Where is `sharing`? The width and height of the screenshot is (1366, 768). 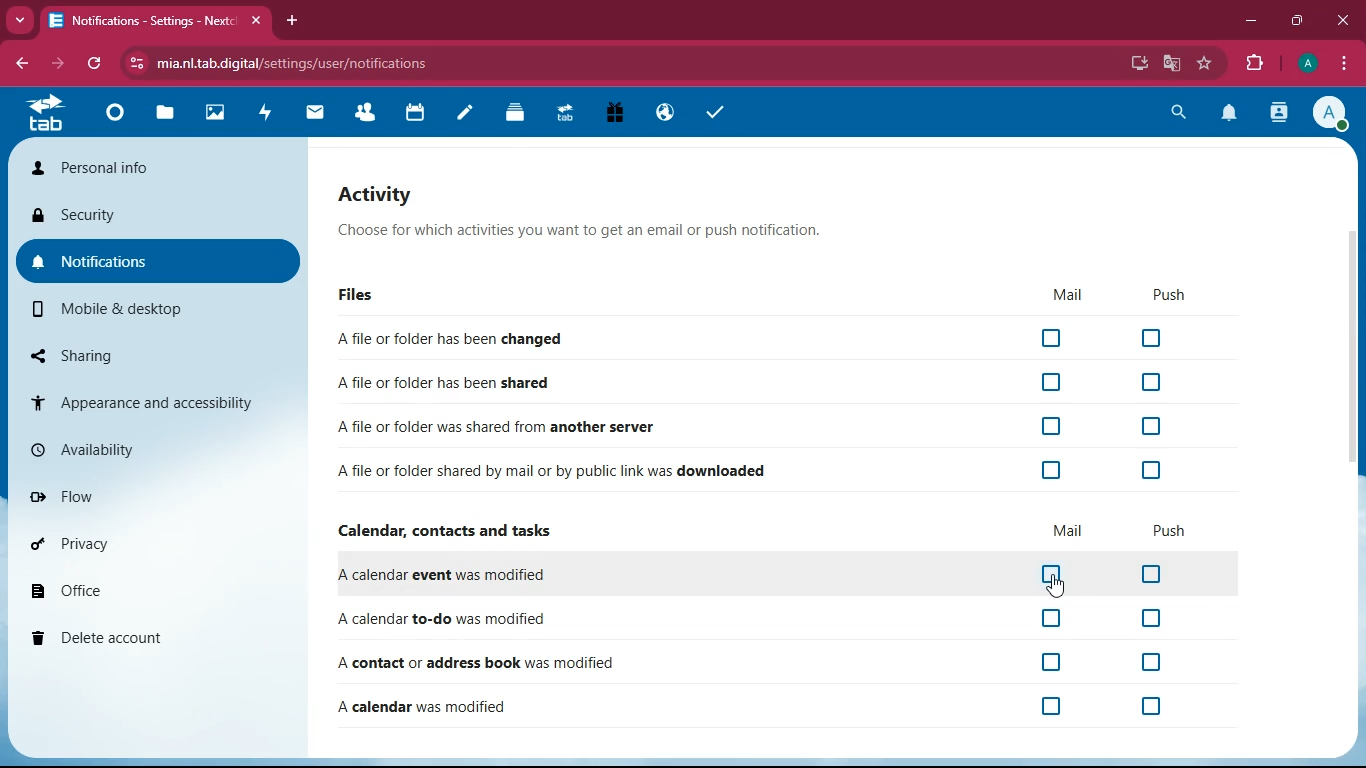
sharing is located at coordinates (152, 355).